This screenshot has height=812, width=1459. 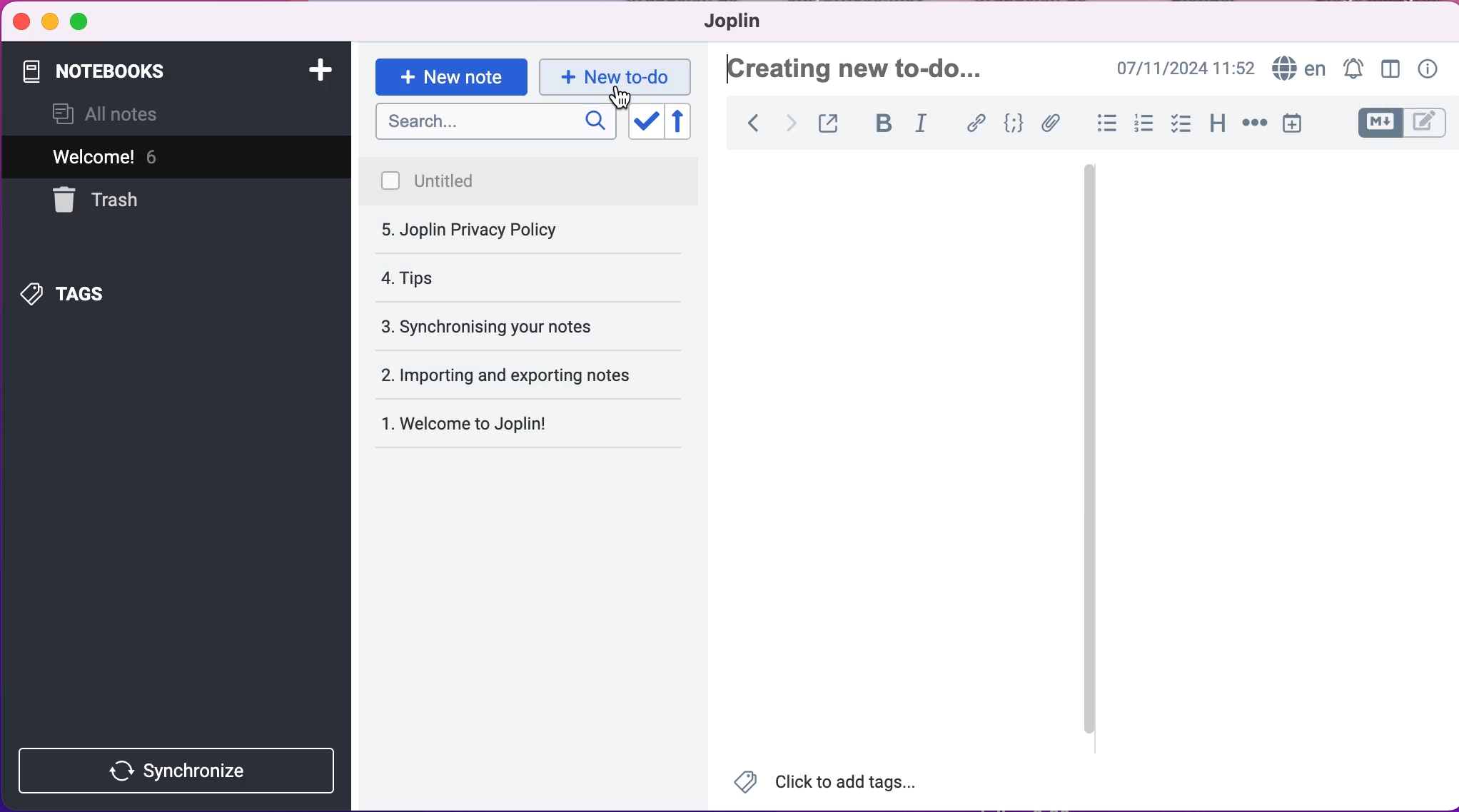 What do you see at coordinates (535, 183) in the screenshot?
I see `joplin privacy policy` at bounding box center [535, 183].